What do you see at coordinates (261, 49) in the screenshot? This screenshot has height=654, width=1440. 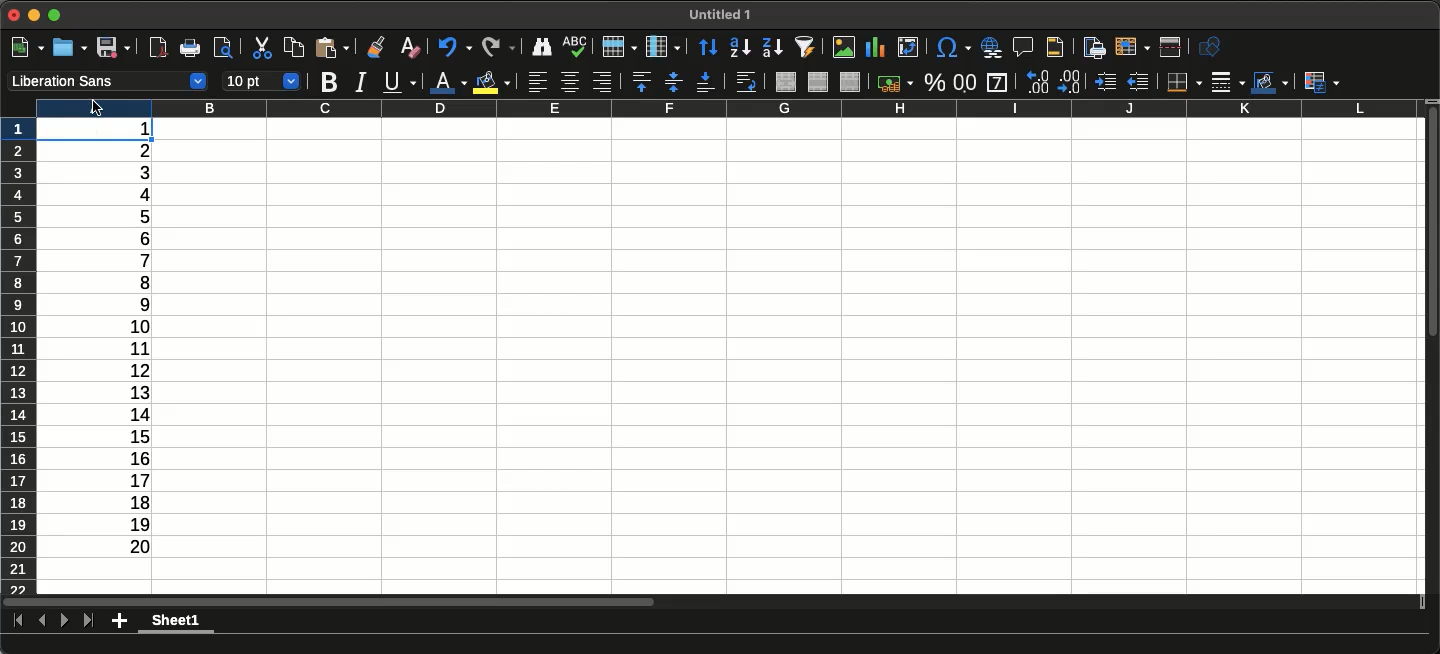 I see `Cut` at bounding box center [261, 49].